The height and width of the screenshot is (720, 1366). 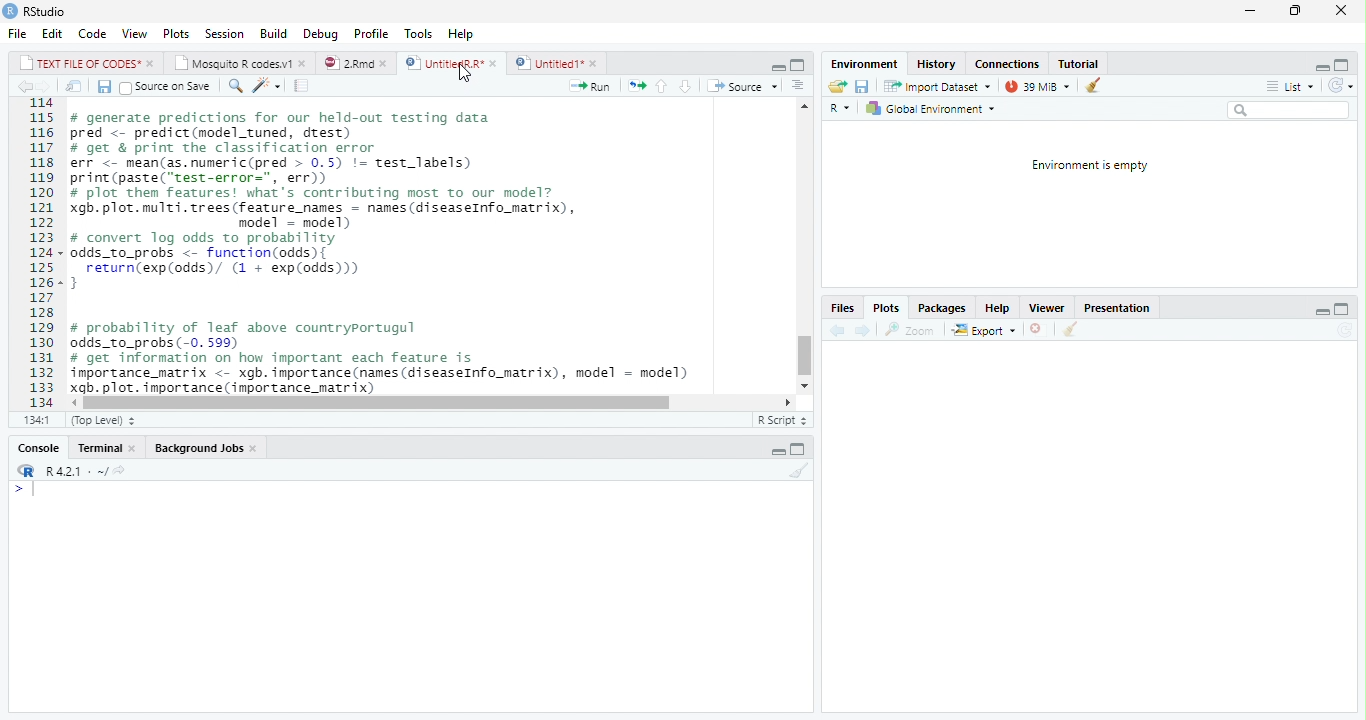 What do you see at coordinates (1288, 110) in the screenshot?
I see `Search` at bounding box center [1288, 110].